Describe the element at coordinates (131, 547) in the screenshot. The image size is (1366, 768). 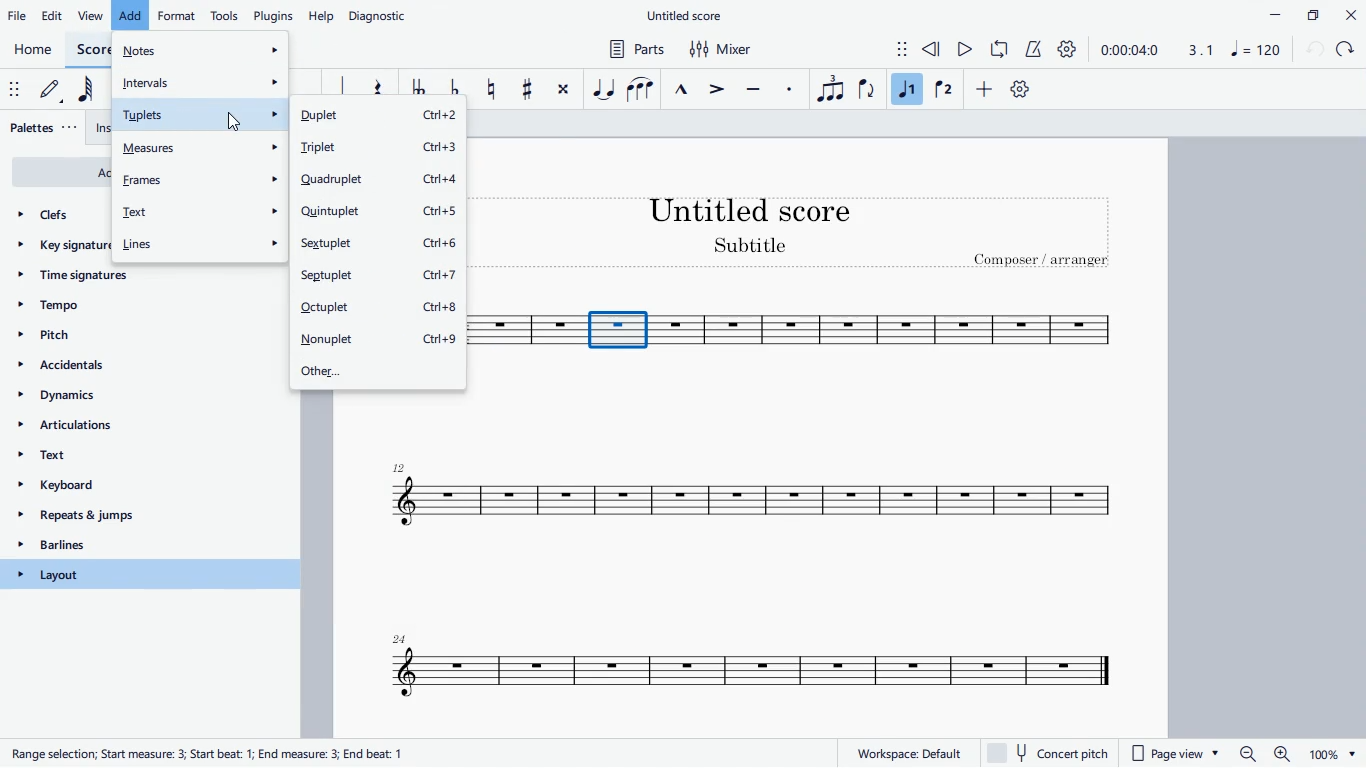
I see `barlines` at that location.